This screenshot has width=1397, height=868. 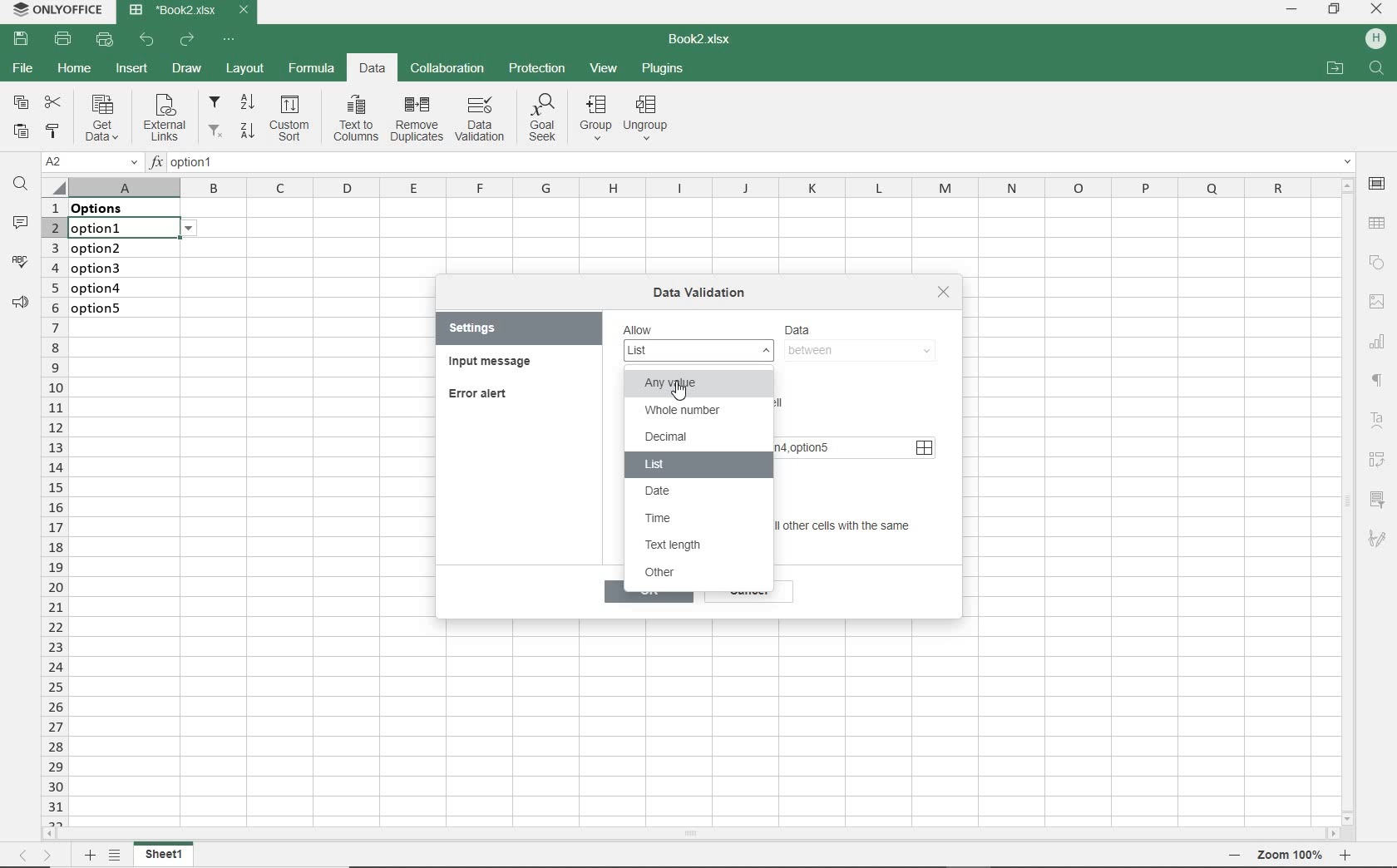 What do you see at coordinates (1380, 496) in the screenshot?
I see `filter` at bounding box center [1380, 496].